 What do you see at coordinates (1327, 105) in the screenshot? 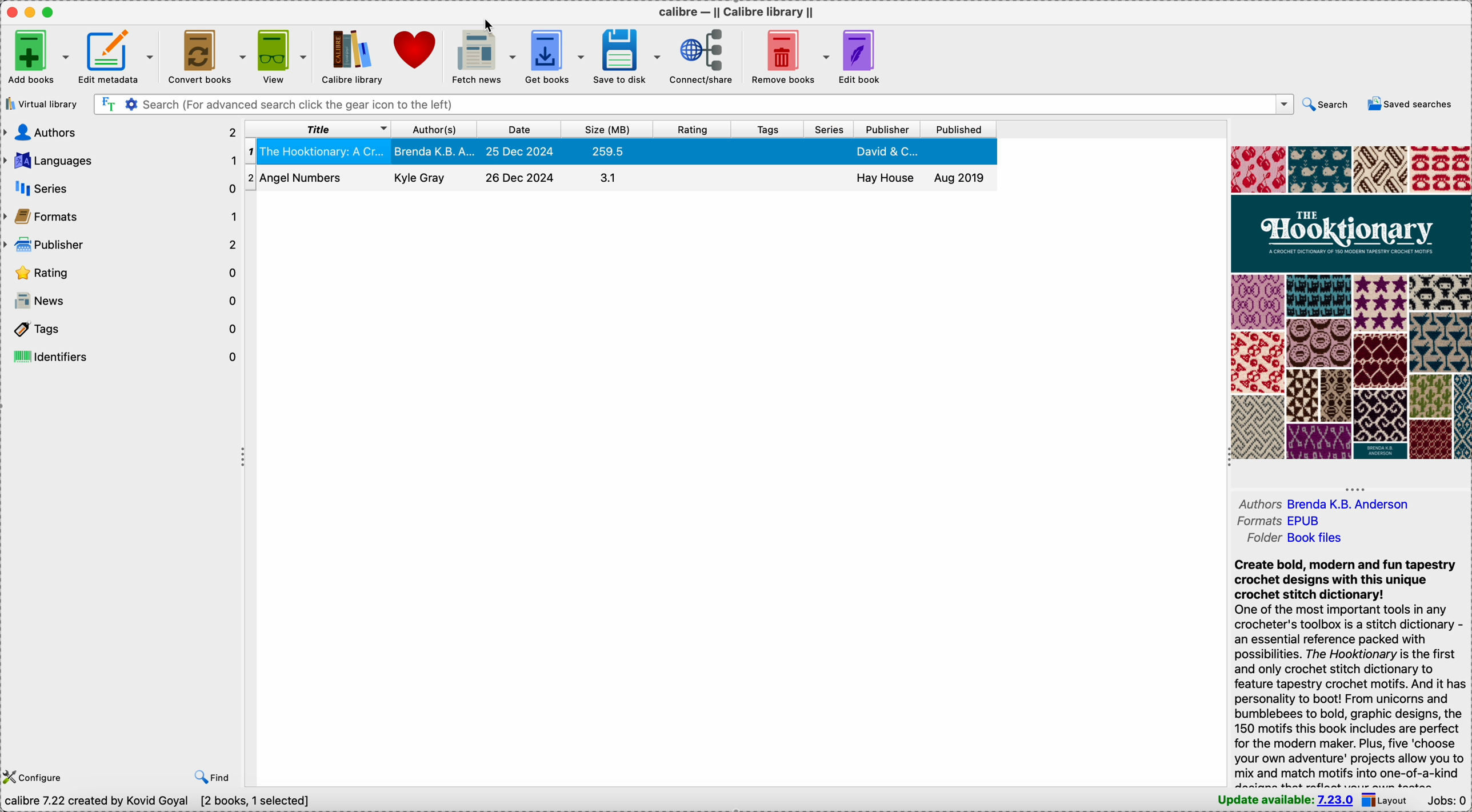
I see `search` at bounding box center [1327, 105].